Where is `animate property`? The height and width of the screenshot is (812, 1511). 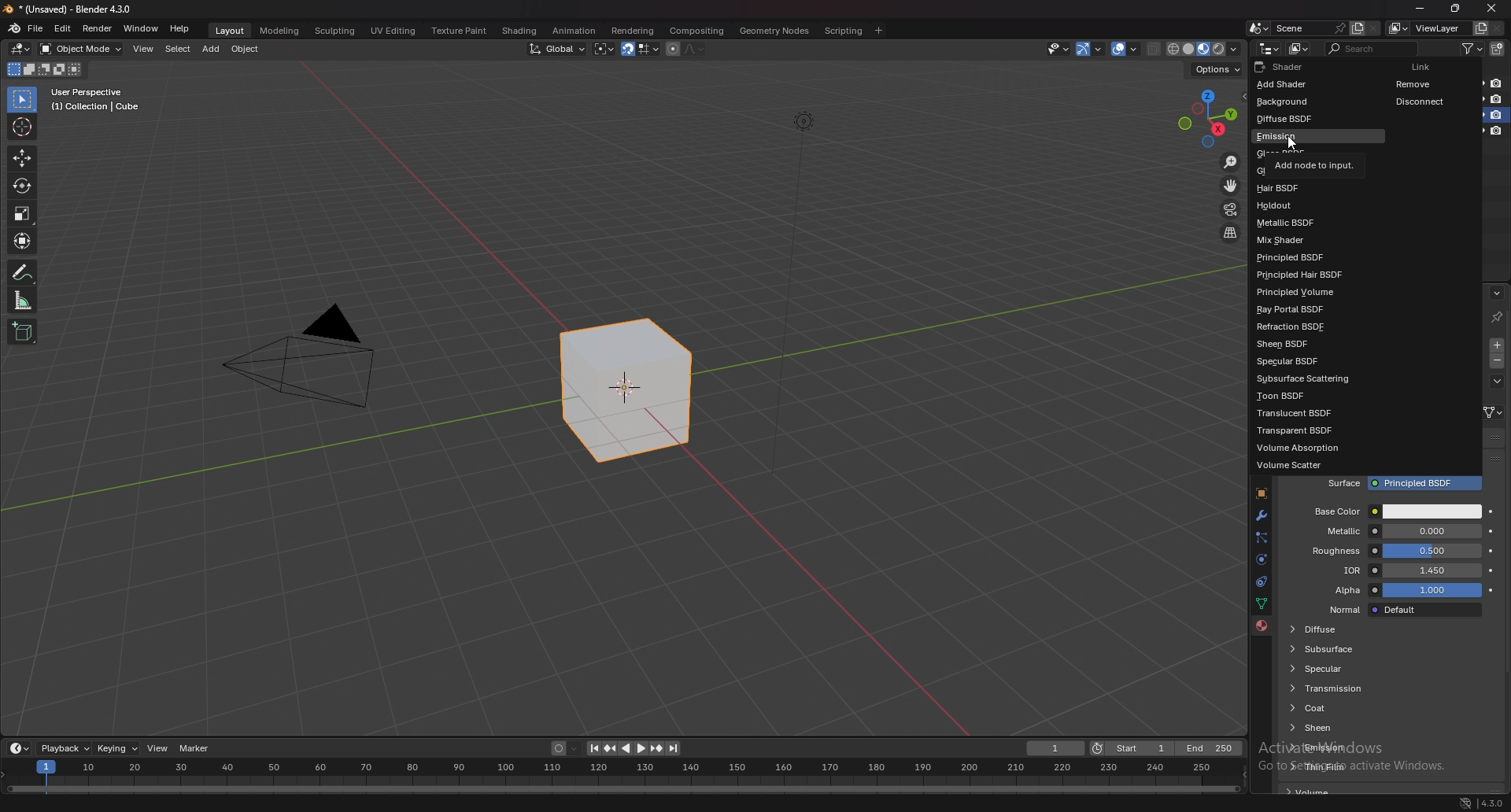
animate property is located at coordinates (1492, 512).